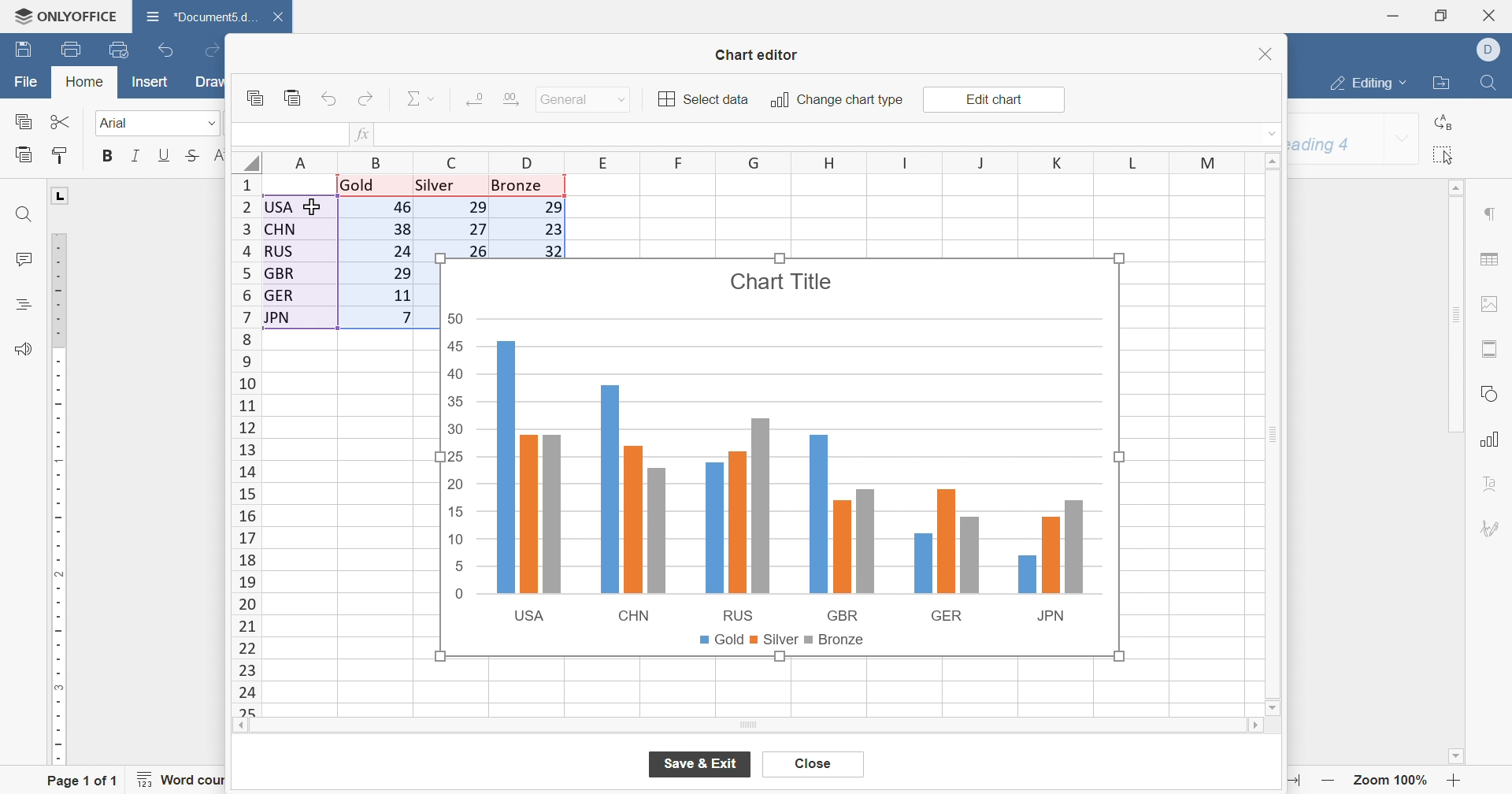 The height and width of the screenshot is (794, 1512). I want to click on copy, so click(254, 98).